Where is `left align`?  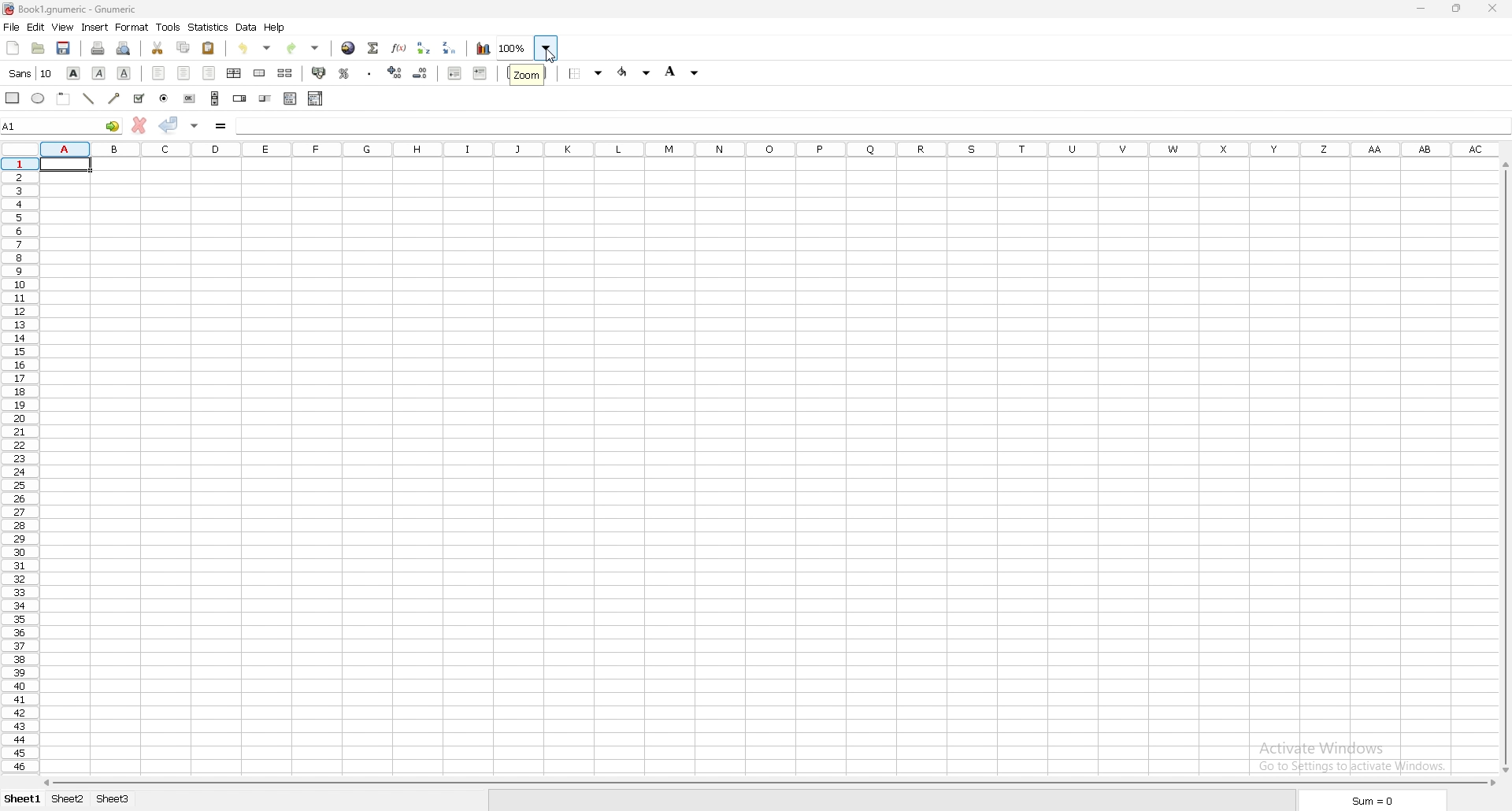 left align is located at coordinates (158, 73).